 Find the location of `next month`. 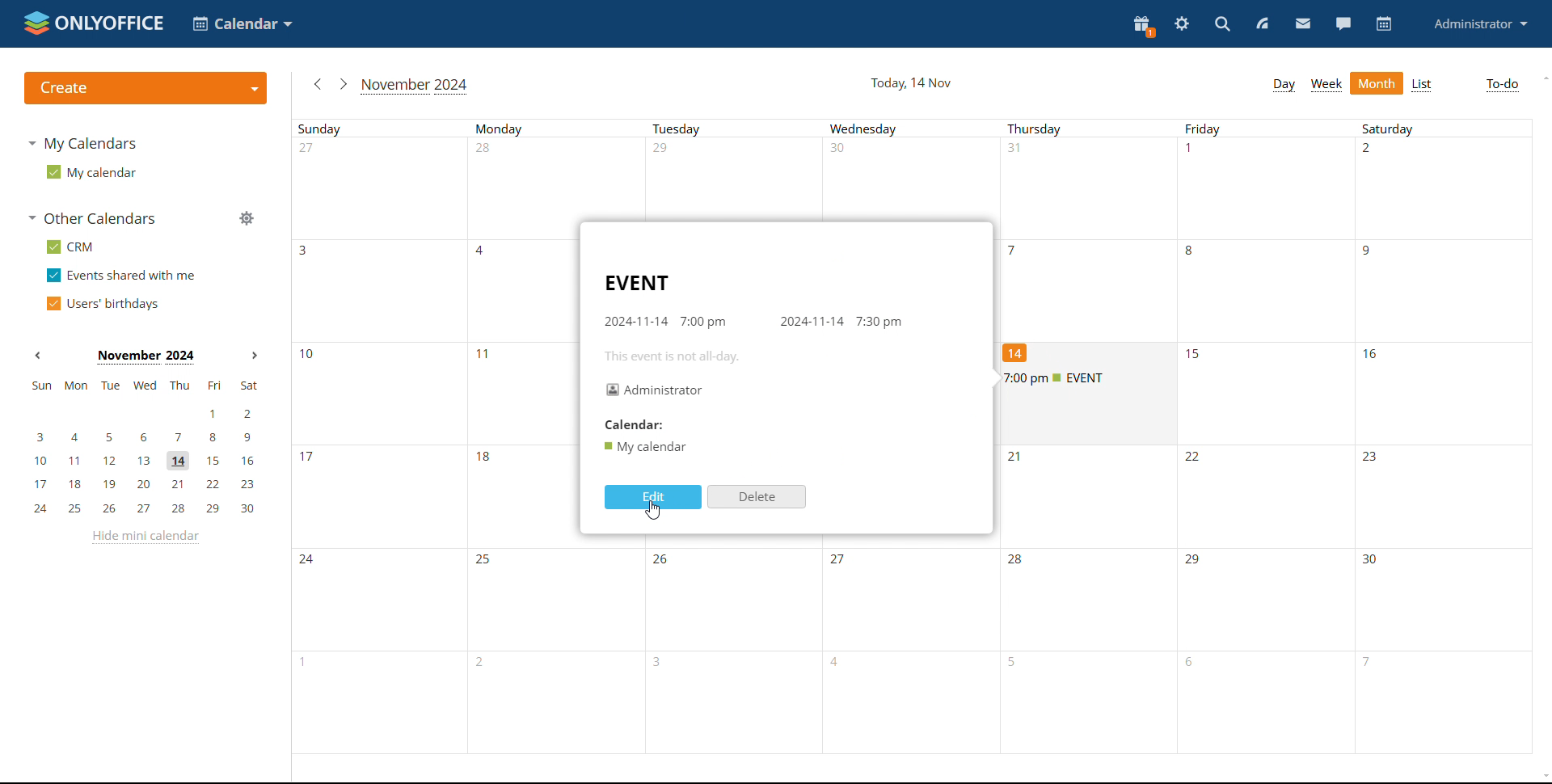

next month is located at coordinates (254, 354).